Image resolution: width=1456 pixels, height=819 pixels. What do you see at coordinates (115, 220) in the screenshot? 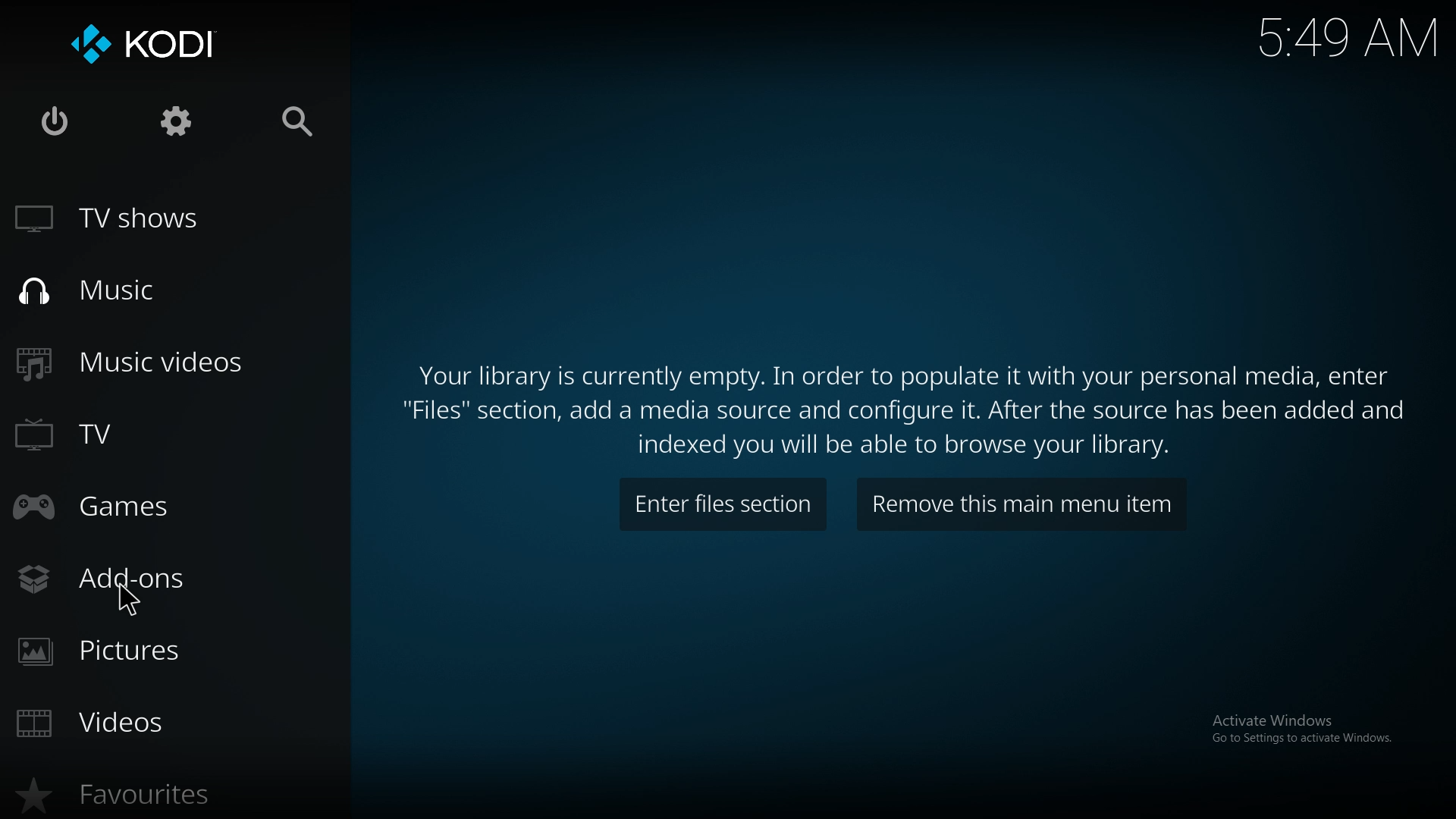
I see `tv shows` at bounding box center [115, 220].